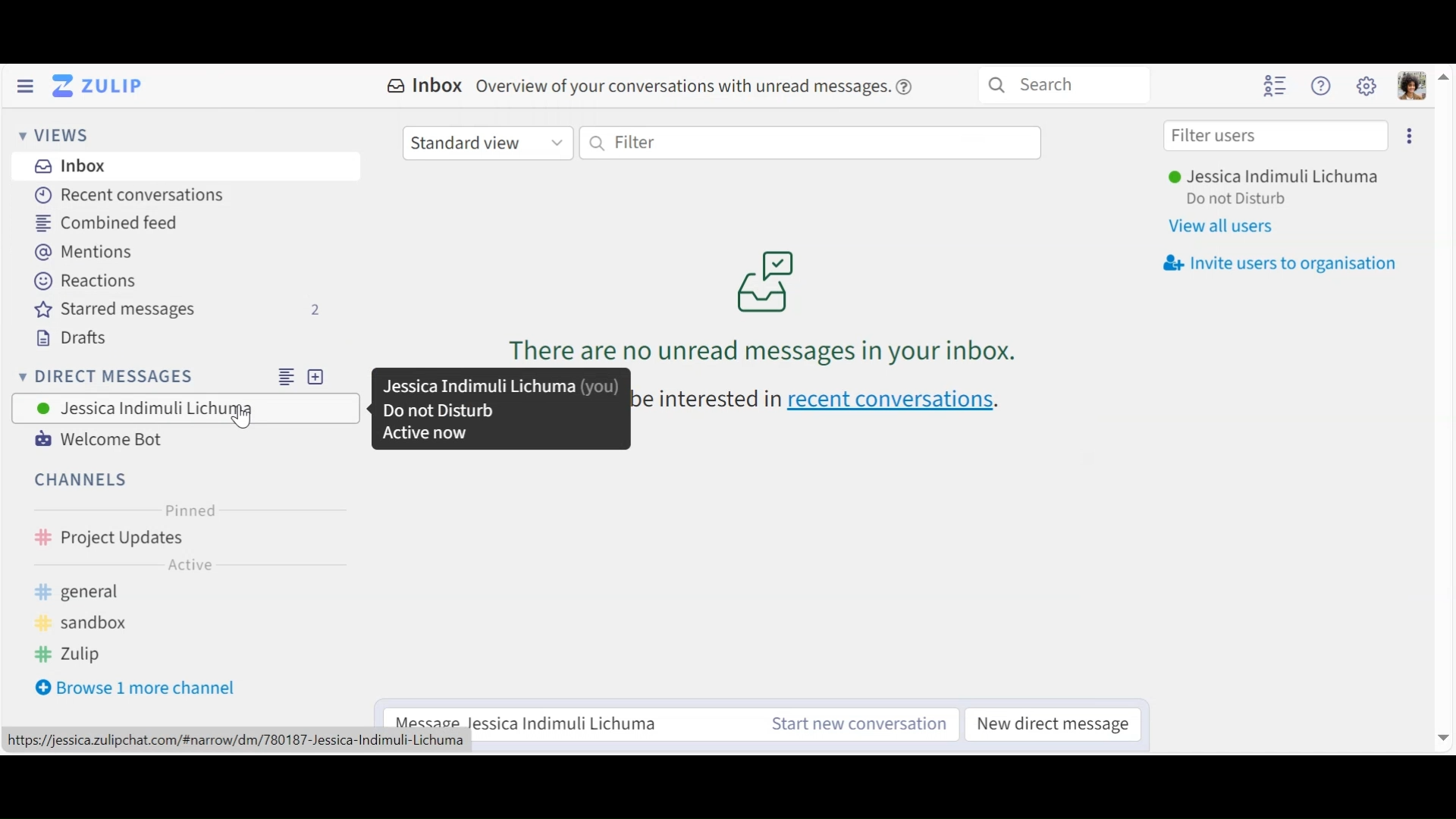  Describe the element at coordinates (242, 416) in the screenshot. I see `Cursor` at that location.